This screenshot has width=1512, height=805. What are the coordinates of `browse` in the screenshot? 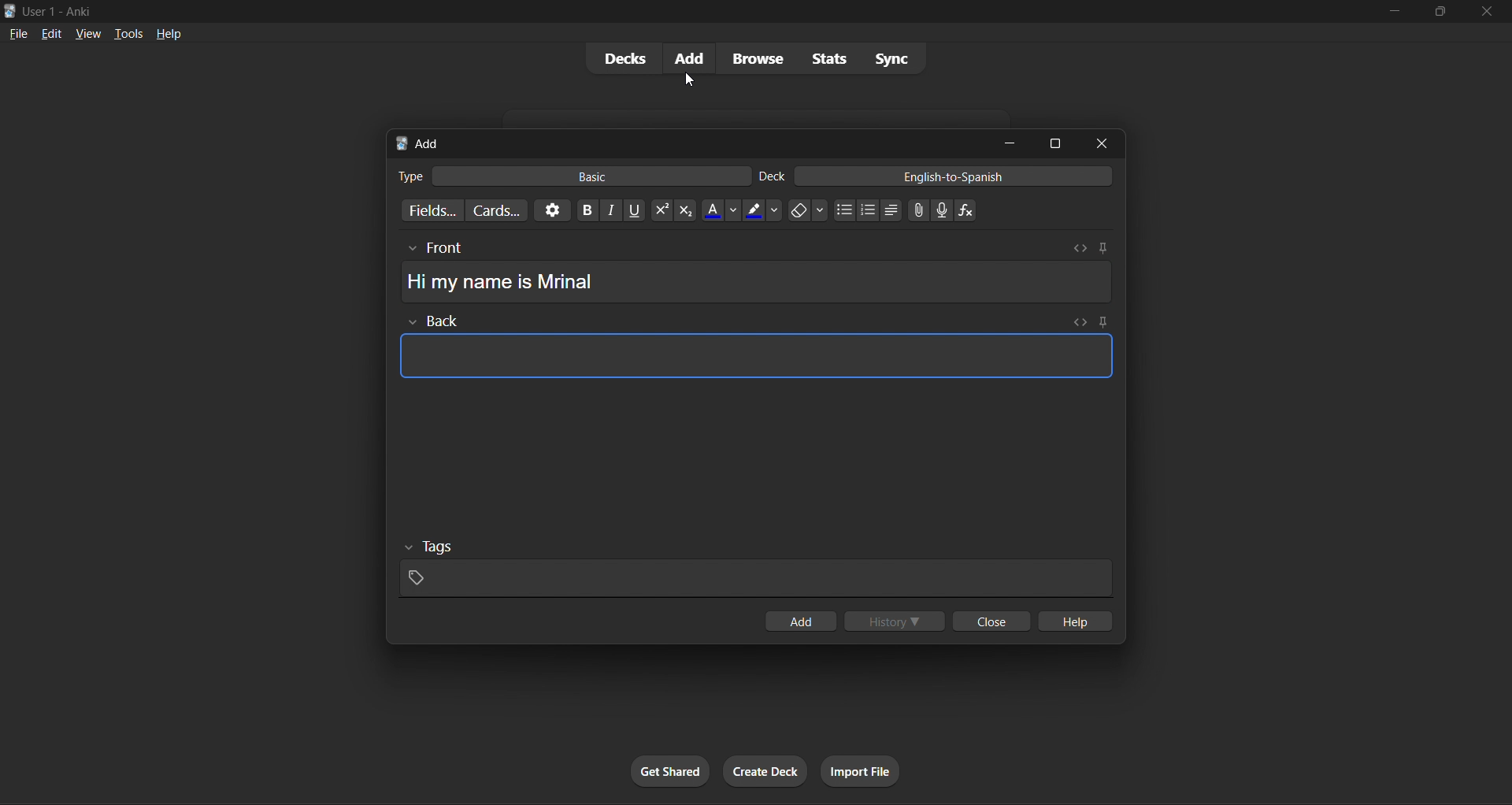 It's located at (756, 57).